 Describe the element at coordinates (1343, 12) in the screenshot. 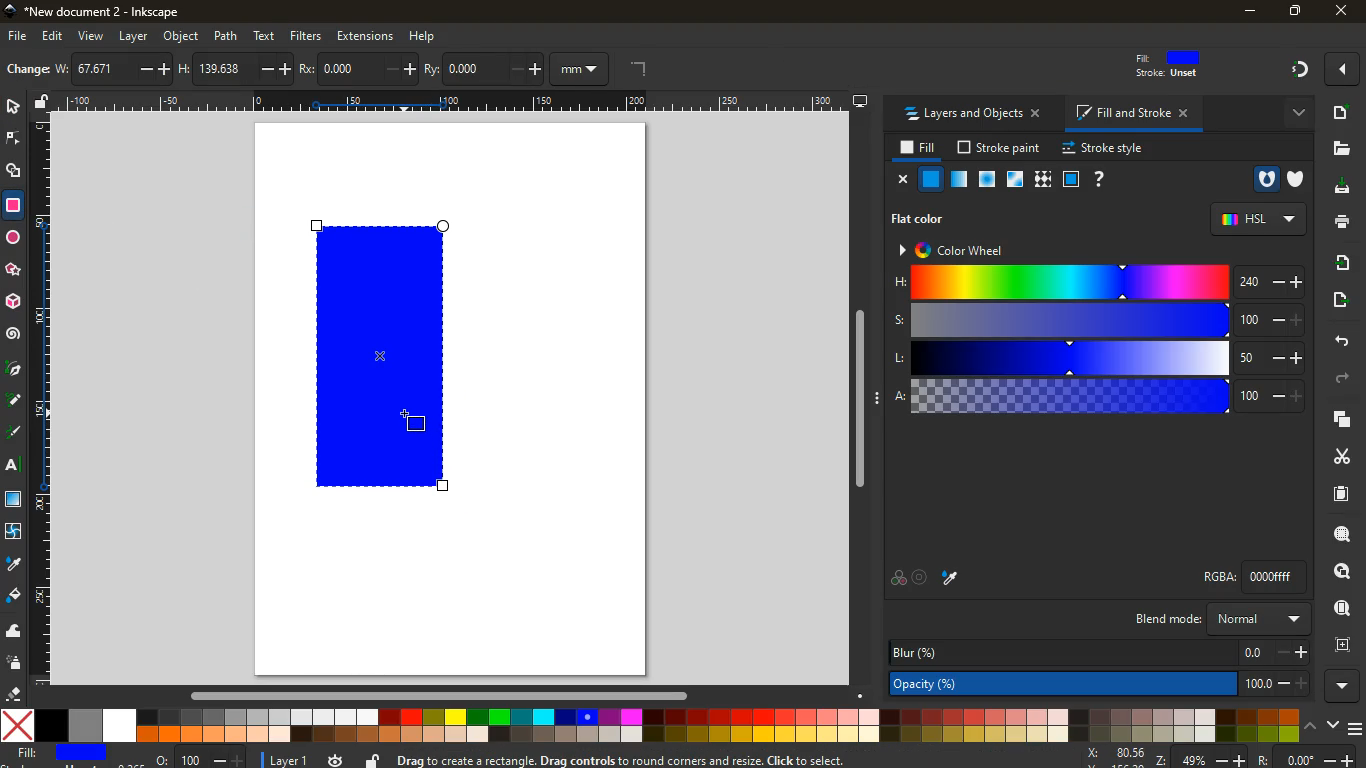

I see `close` at that location.